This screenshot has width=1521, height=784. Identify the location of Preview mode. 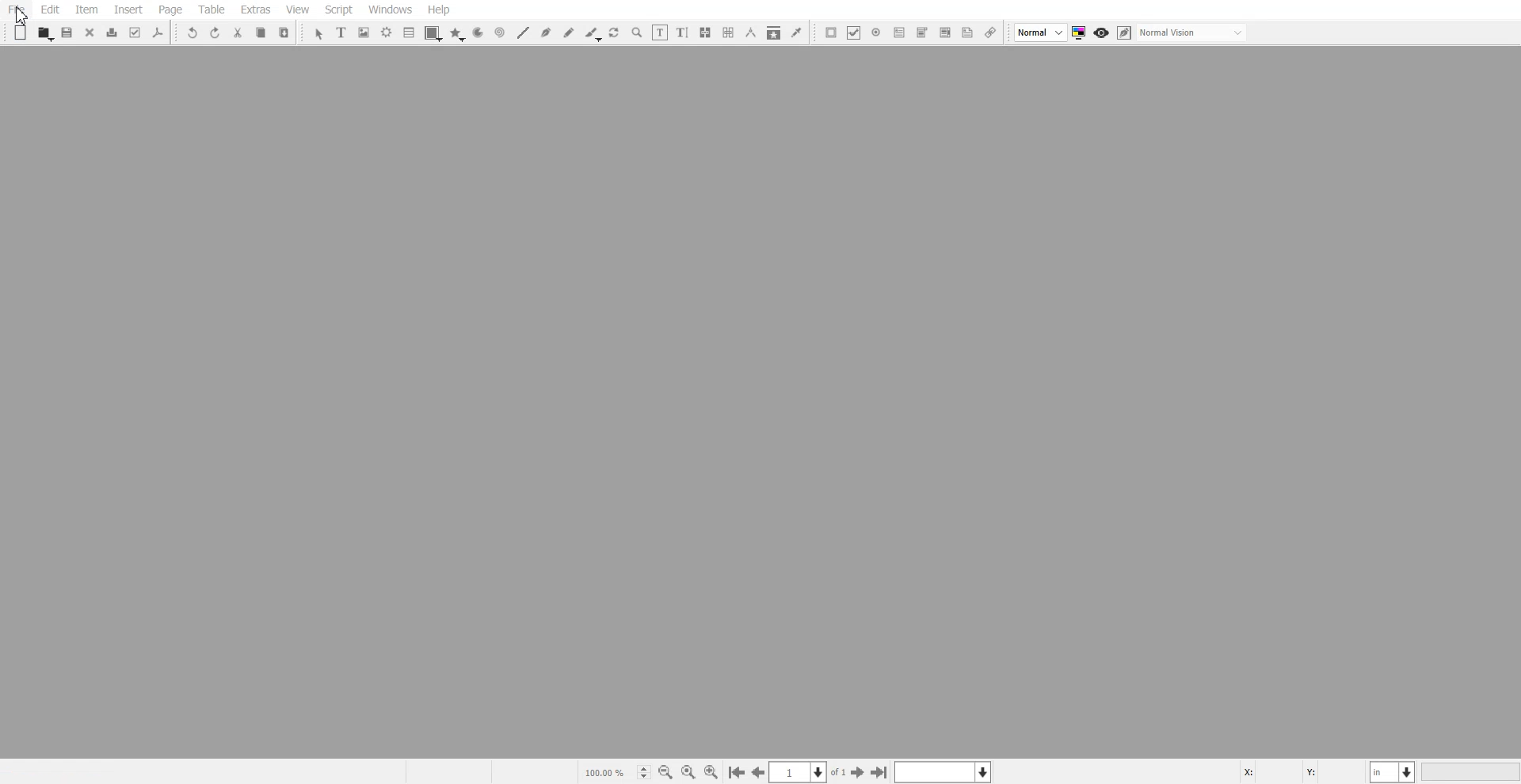
(1102, 33).